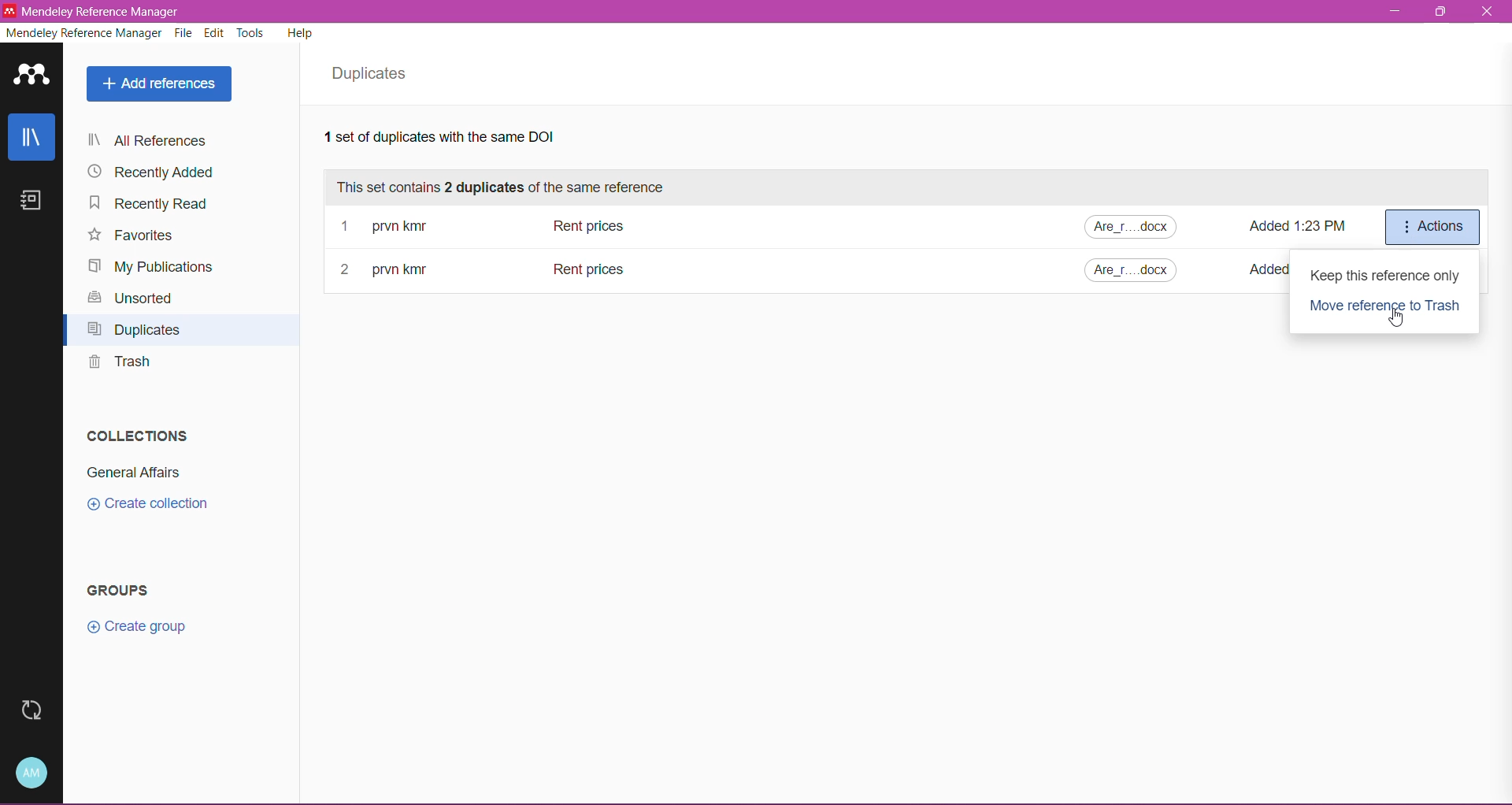 This screenshot has height=805, width=1512. I want to click on author, so click(403, 269).